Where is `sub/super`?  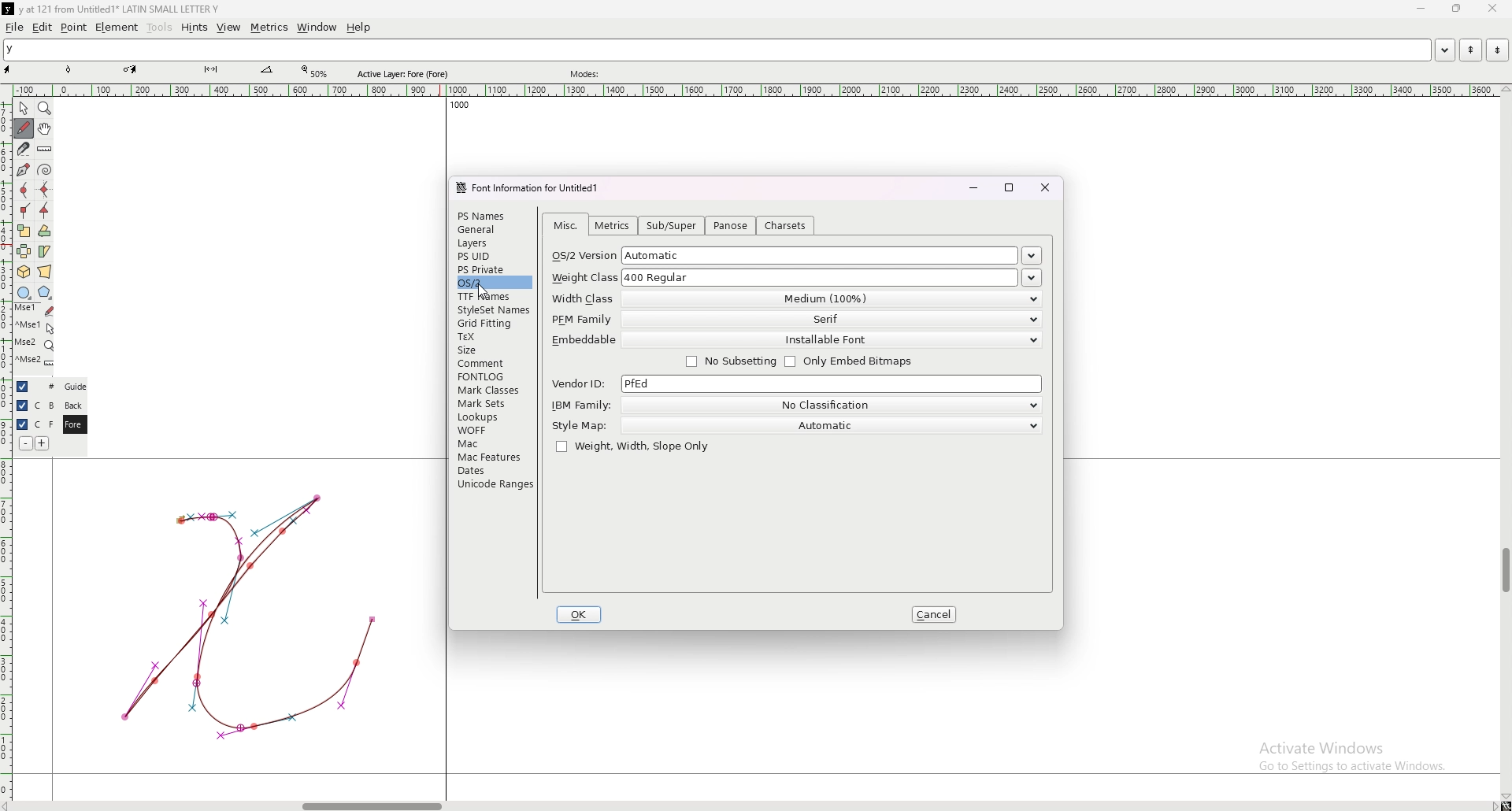
sub/super is located at coordinates (673, 226).